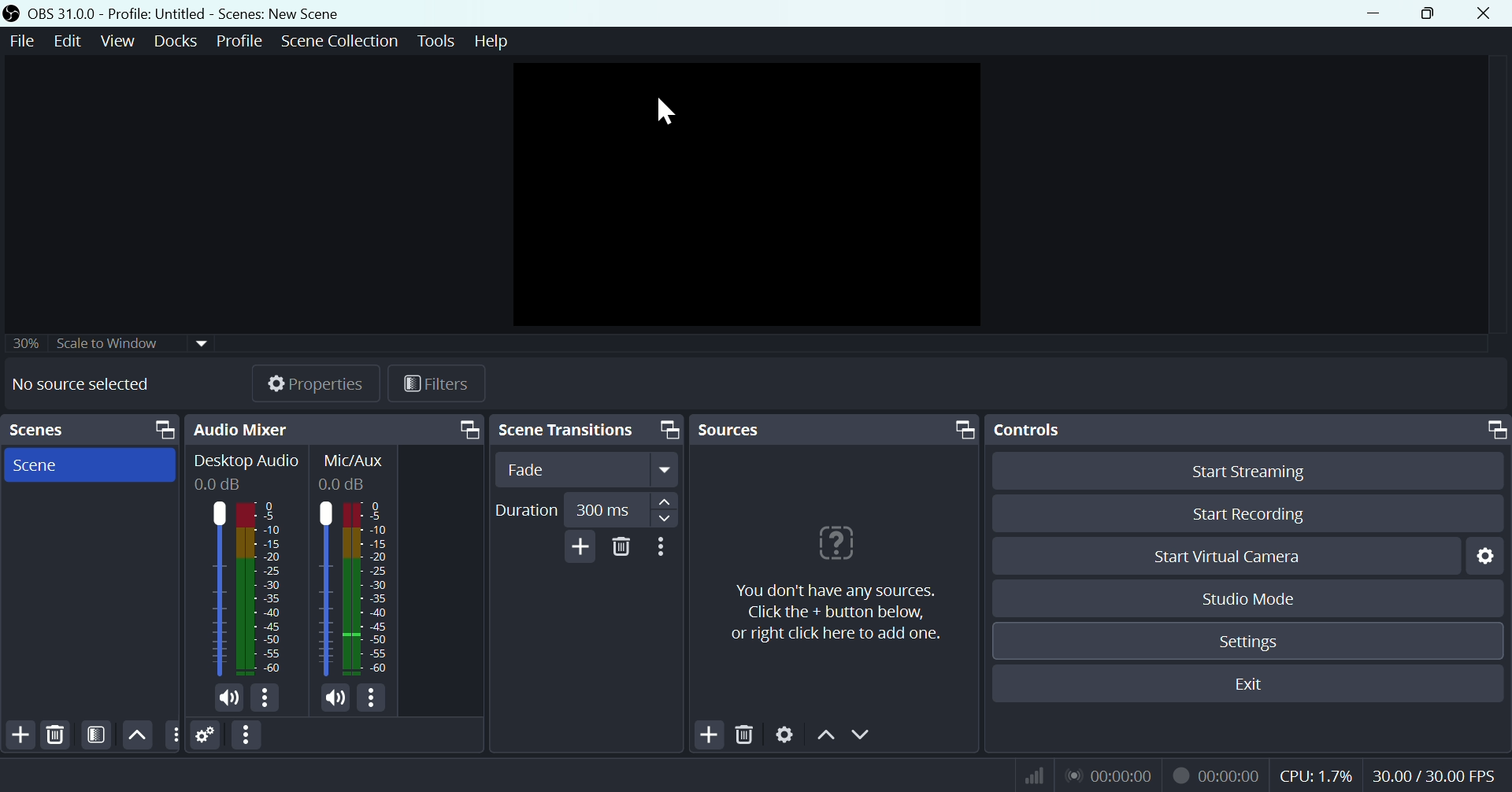 The image size is (1512, 792). What do you see at coordinates (228, 697) in the screenshot?
I see `Volume` at bounding box center [228, 697].